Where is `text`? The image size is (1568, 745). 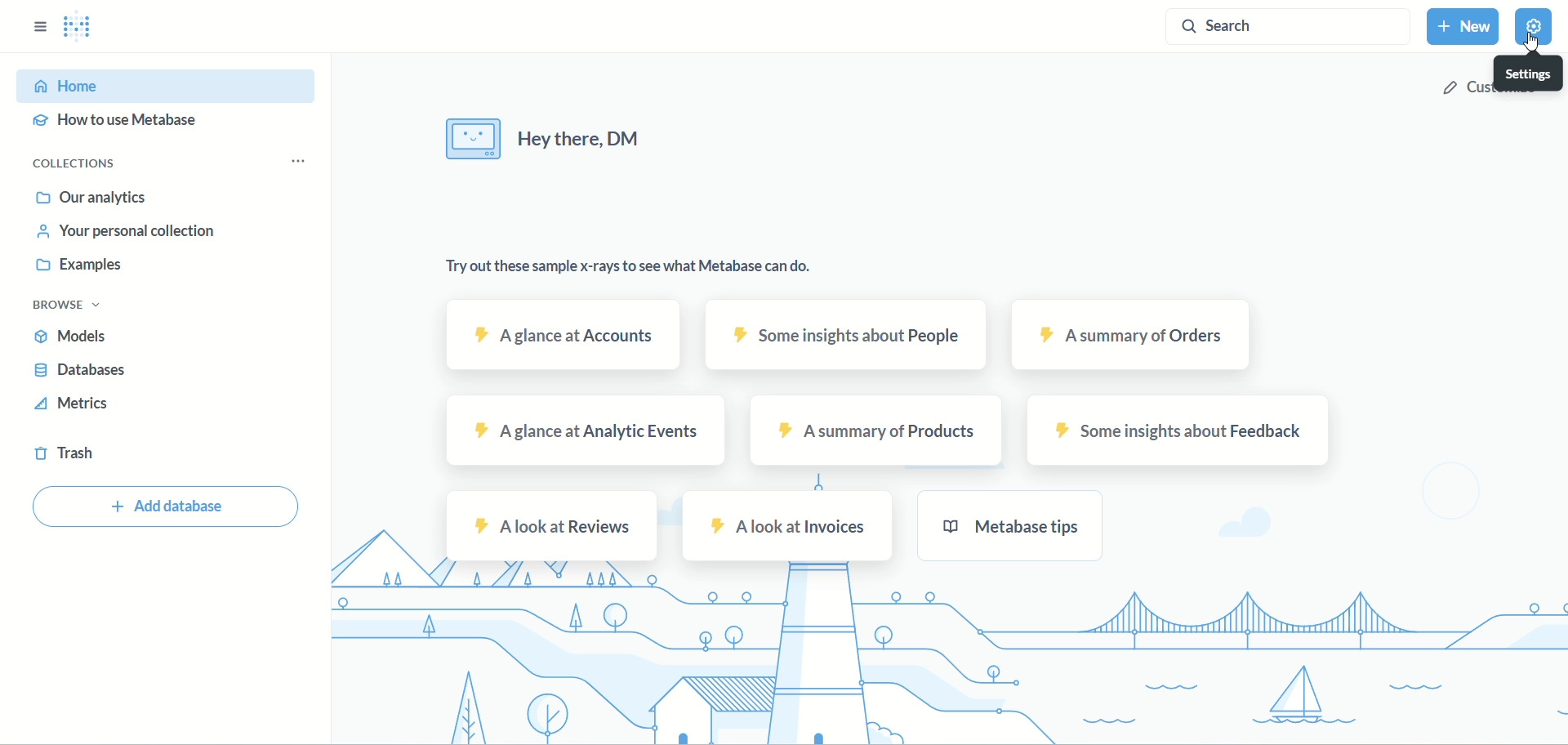 text is located at coordinates (541, 141).